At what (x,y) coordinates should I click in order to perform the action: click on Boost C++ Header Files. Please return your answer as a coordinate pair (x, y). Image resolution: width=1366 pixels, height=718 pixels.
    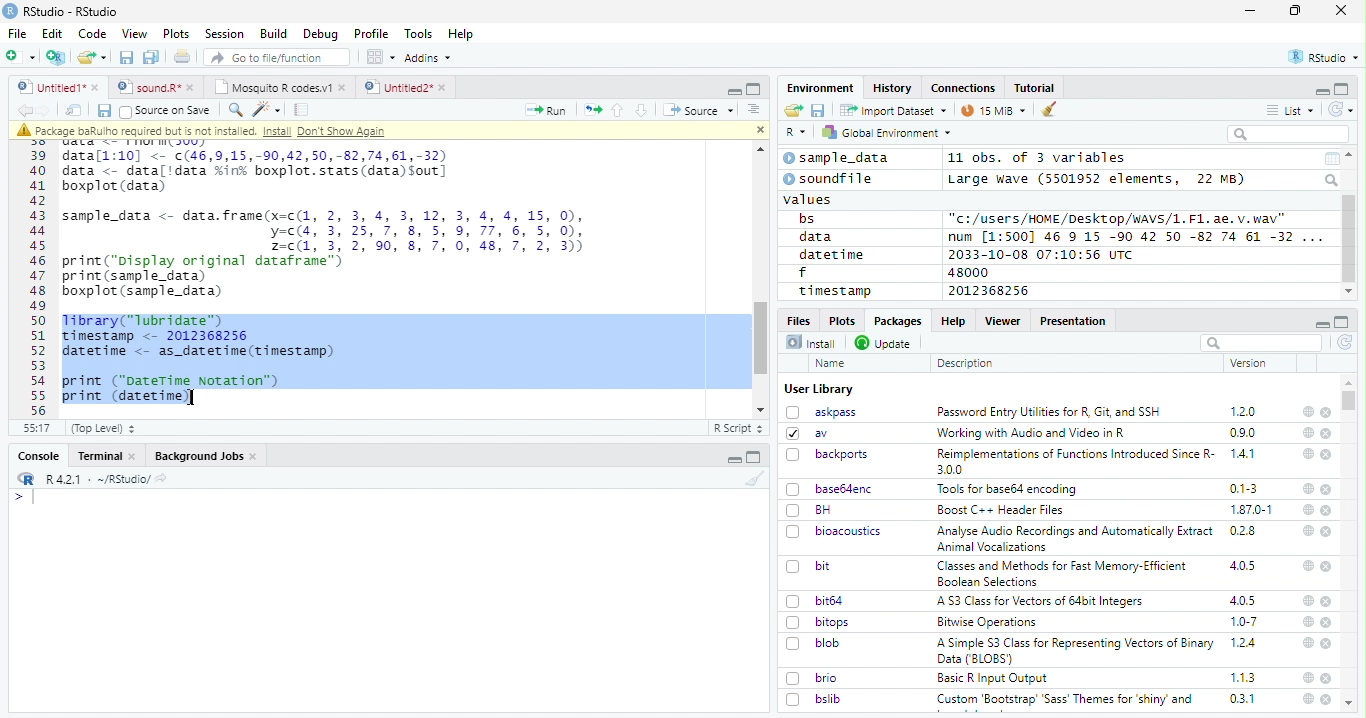
    Looking at the image, I should click on (998, 511).